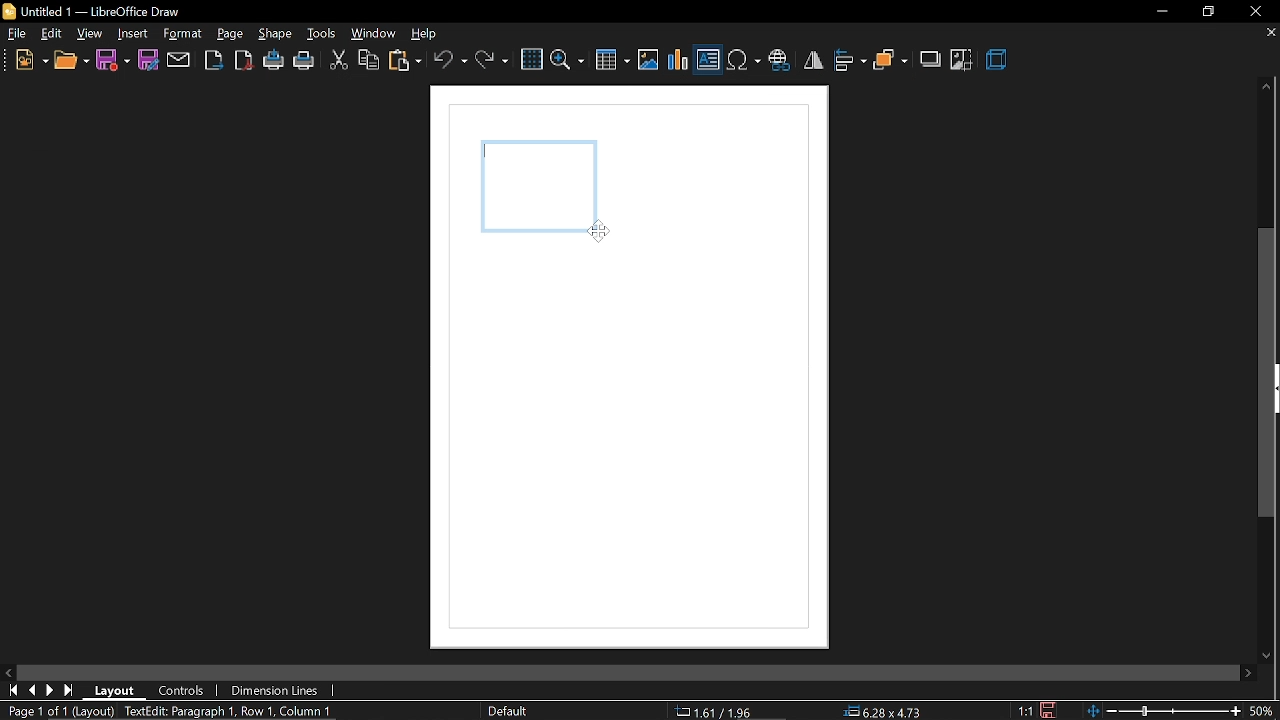  What do you see at coordinates (133, 35) in the screenshot?
I see `insert` at bounding box center [133, 35].